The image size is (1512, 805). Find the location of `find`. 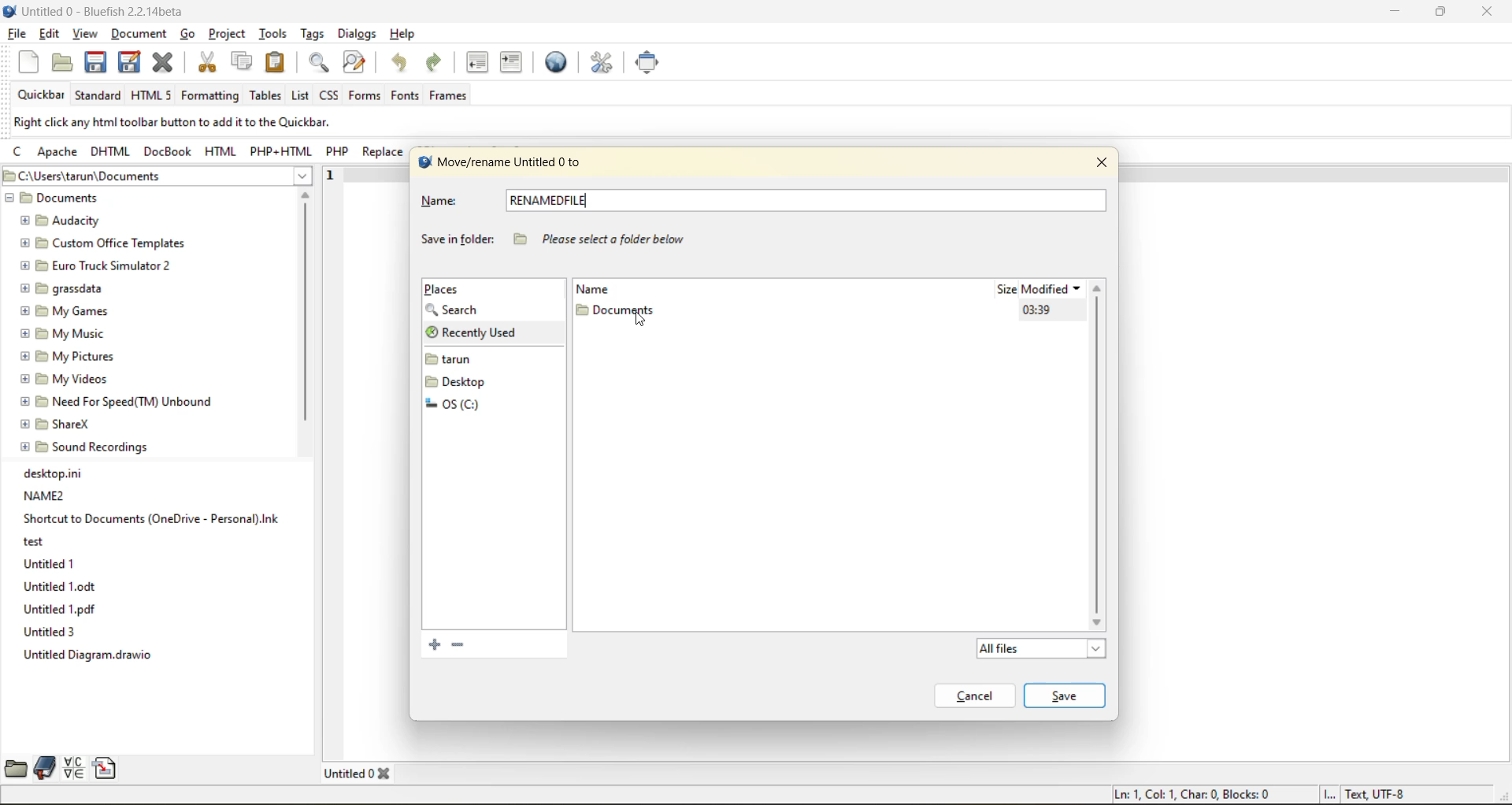

find is located at coordinates (317, 64).